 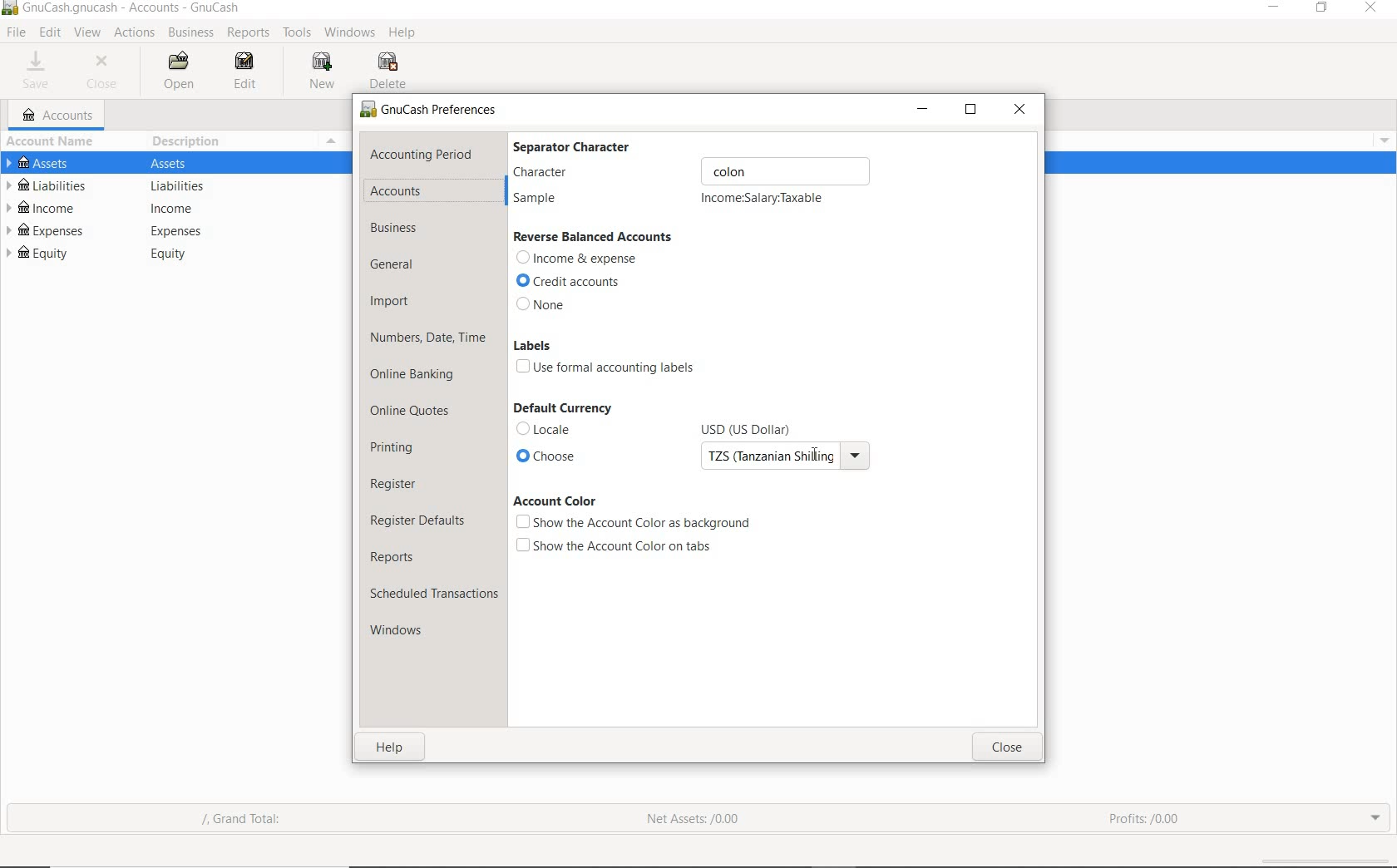 What do you see at coordinates (428, 339) in the screenshot?
I see `numbers, date, time` at bounding box center [428, 339].